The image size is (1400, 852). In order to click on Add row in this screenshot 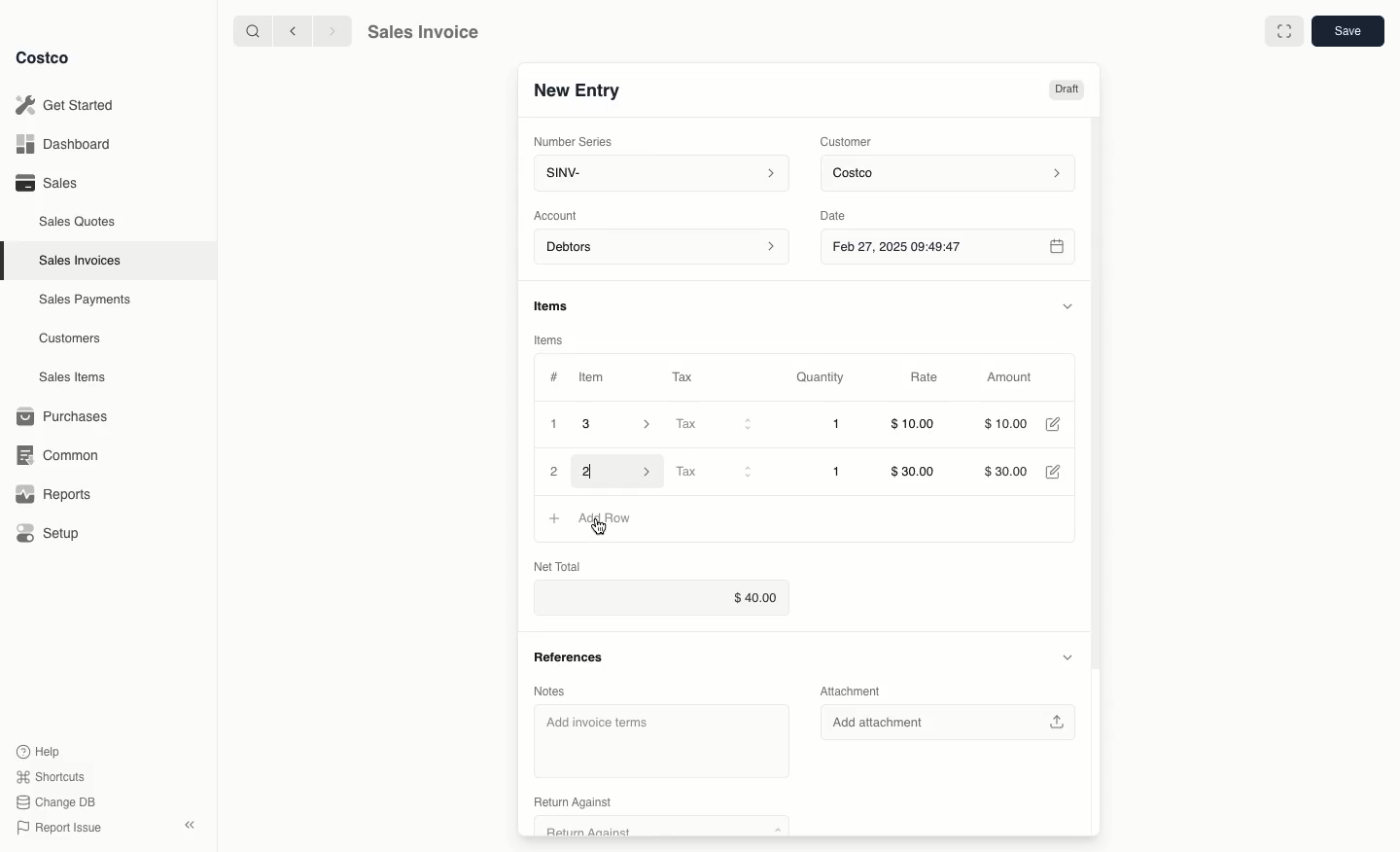, I will do `click(606, 516)`.